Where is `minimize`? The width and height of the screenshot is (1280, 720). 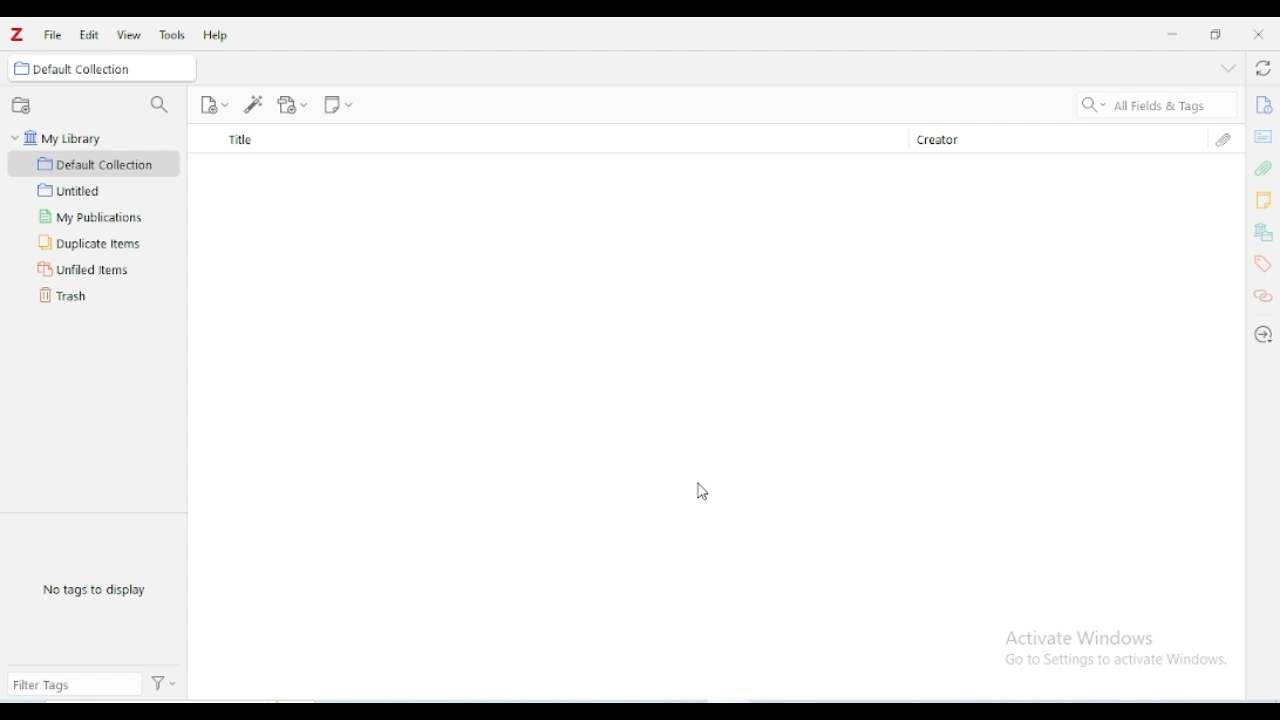 minimize is located at coordinates (1174, 34).